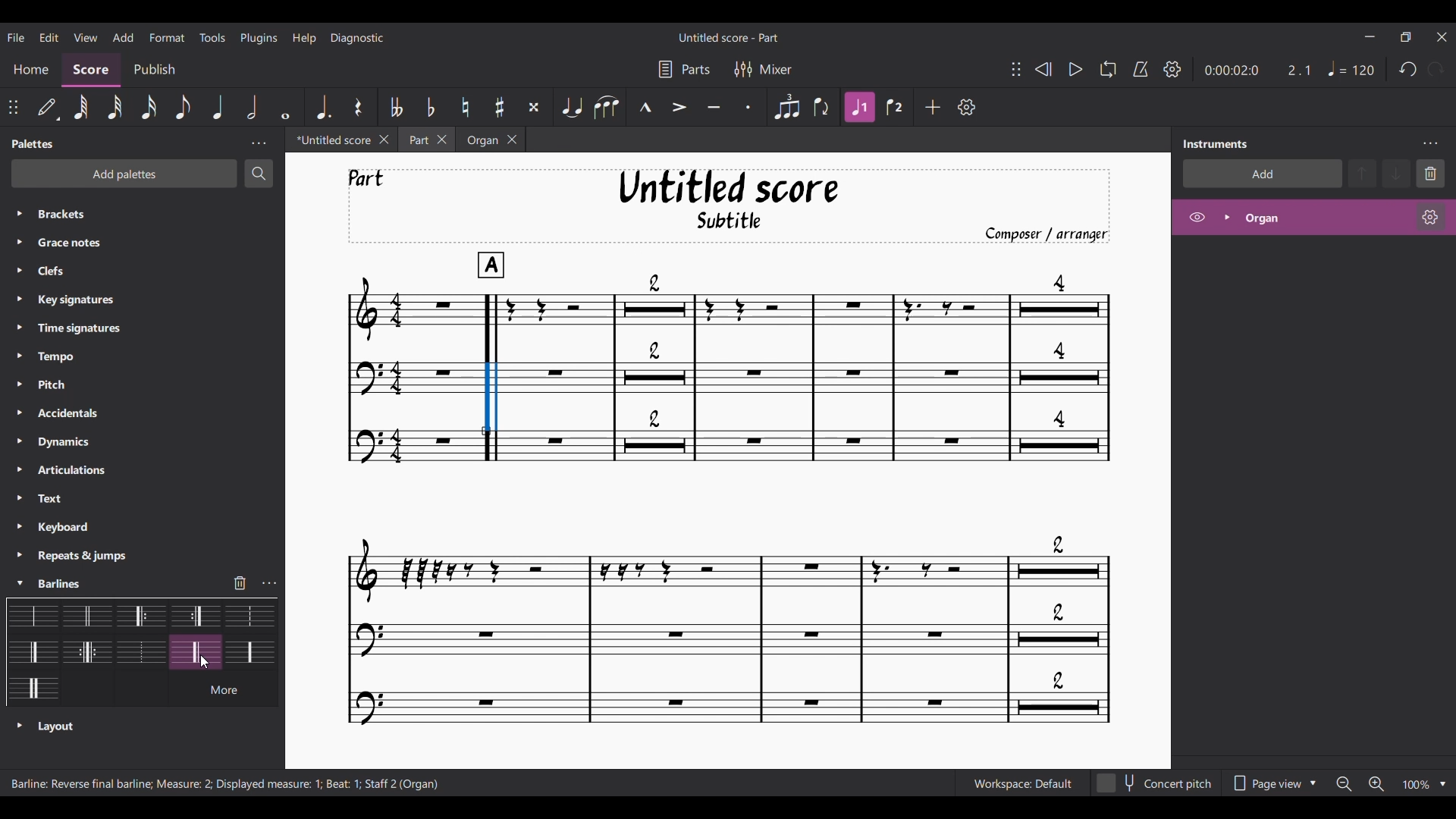  Describe the element at coordinates (1197, 217) in the screenshot. I see `Hide organ` at that location.